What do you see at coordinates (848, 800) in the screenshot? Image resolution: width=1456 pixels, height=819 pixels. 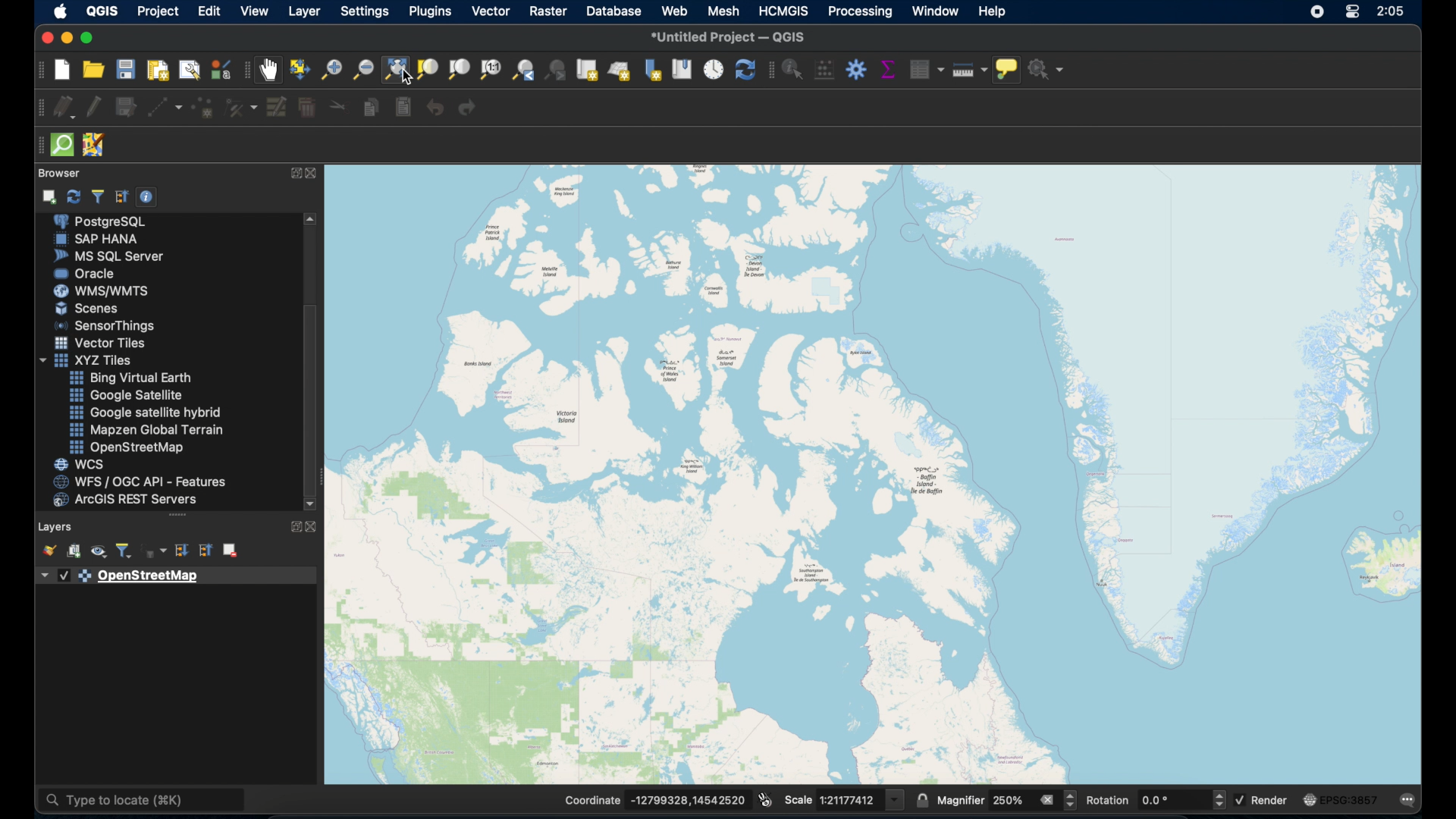 I see `scale value` at bounding box center [848, 800].